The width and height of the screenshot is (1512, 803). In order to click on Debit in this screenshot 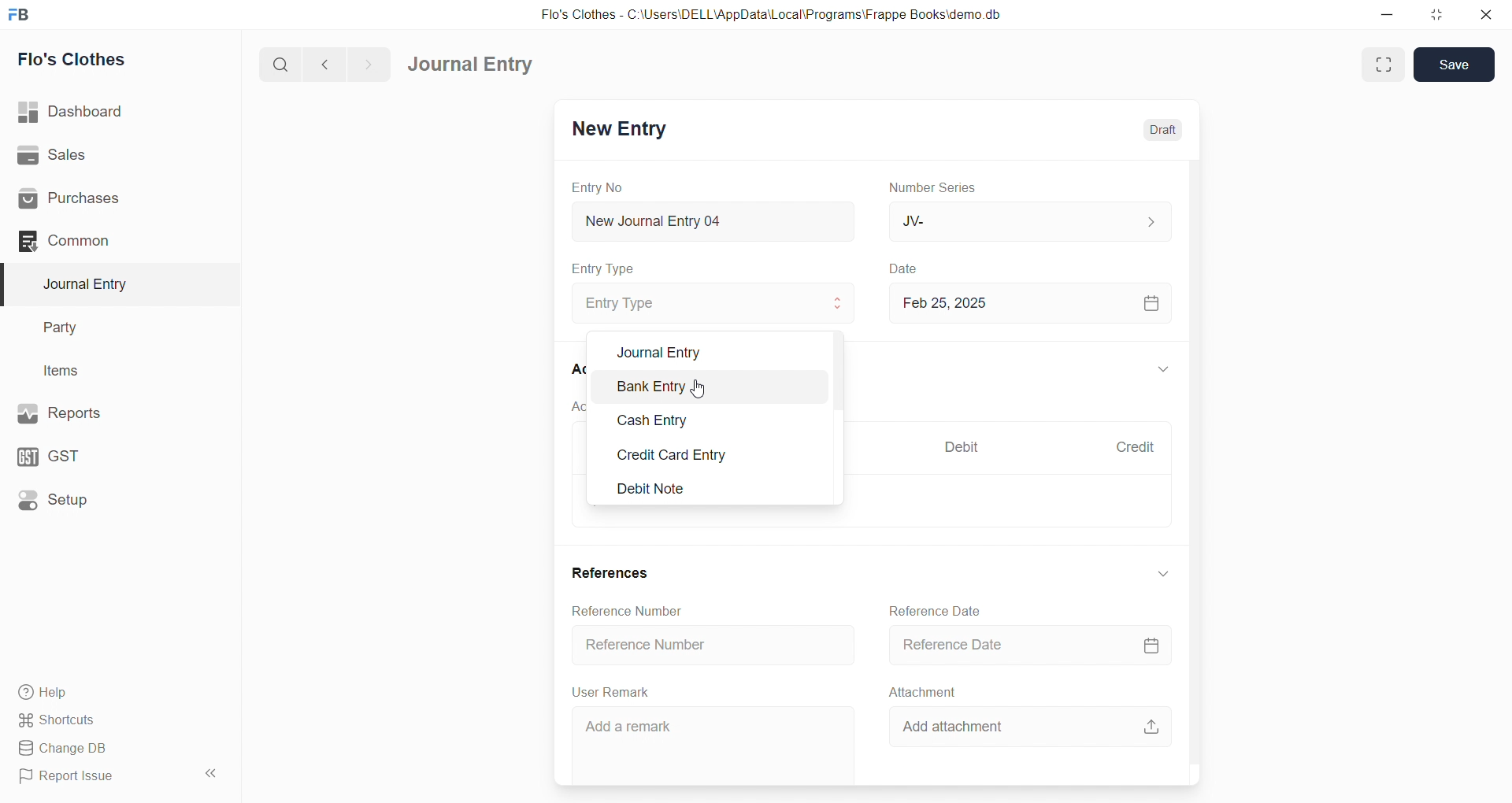, I will do `click(962, 449)`.